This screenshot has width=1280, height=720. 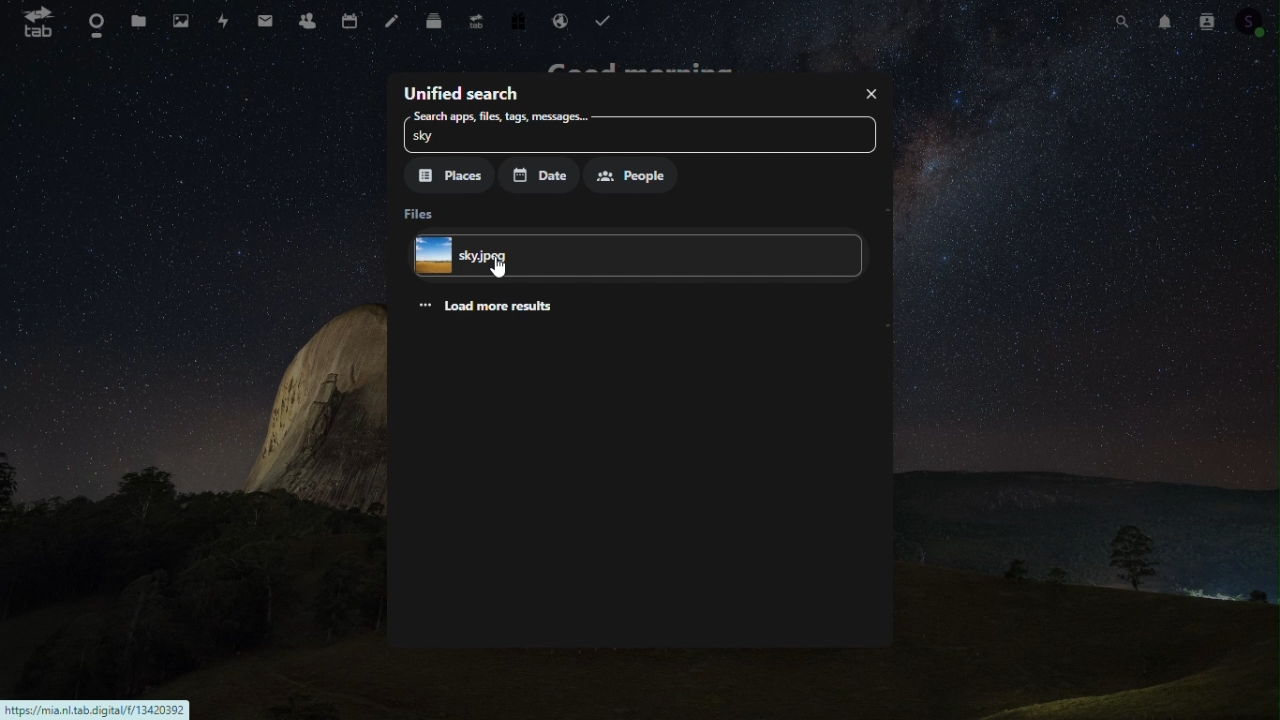 What do you see at coordinates (516, 16) in the screenshot?
I see `Free trial` at bounding box center [516, 16].